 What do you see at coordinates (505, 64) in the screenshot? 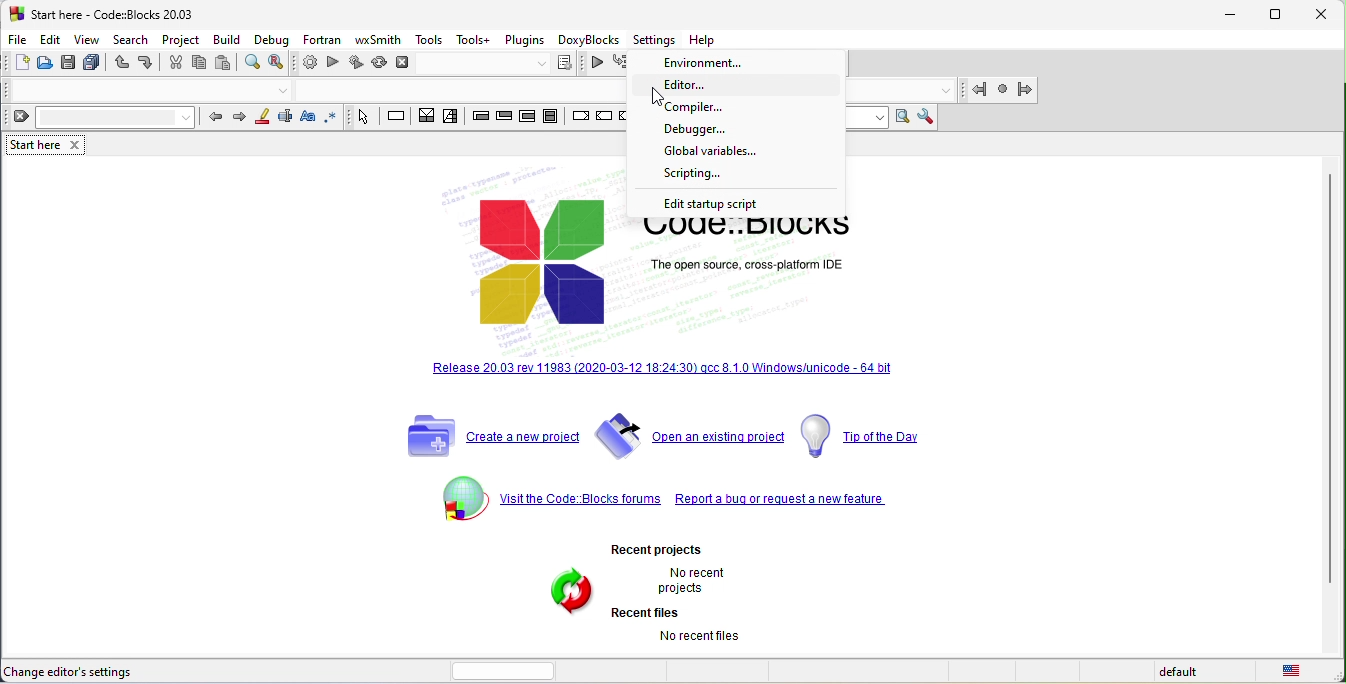
I see `select target dialog` at bounding box center [505, 64].